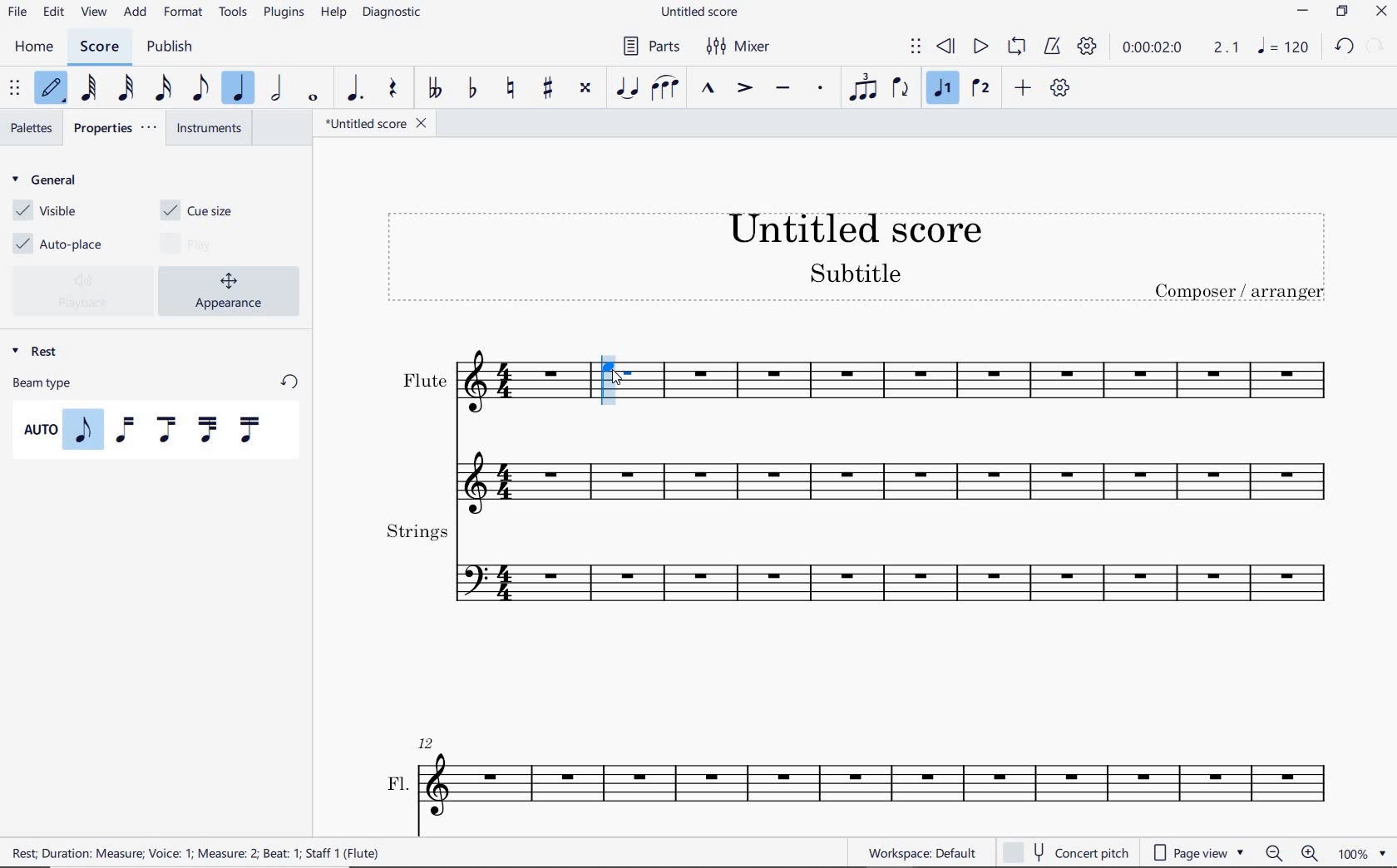 The height and width of the screenshot is (868, 1397). Describe the element at coordinates (211, 130) in the screenshot. I see `INSTRUMENTS` at that location.